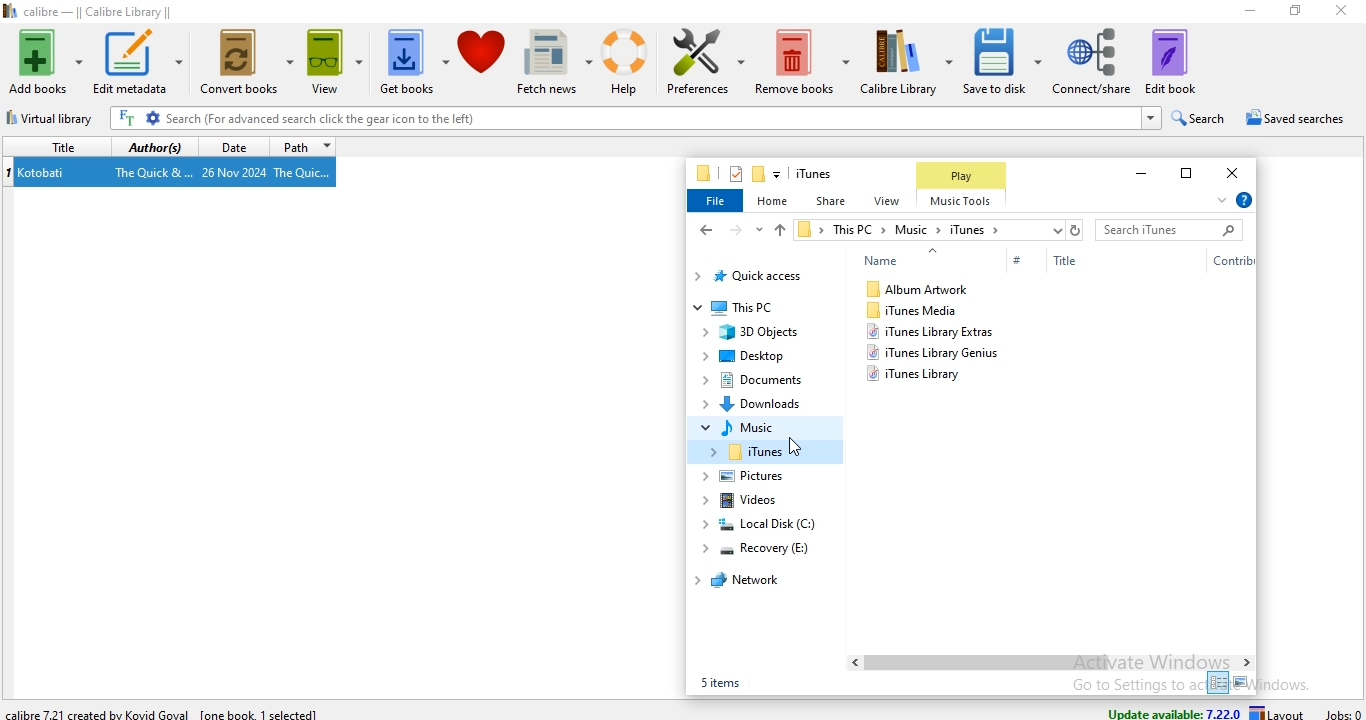 This screenshot has height=720, width=1366. What do you see at coordinates (928, 232) in the screenshot?
I see `file path` at bounding box center [928, 232].